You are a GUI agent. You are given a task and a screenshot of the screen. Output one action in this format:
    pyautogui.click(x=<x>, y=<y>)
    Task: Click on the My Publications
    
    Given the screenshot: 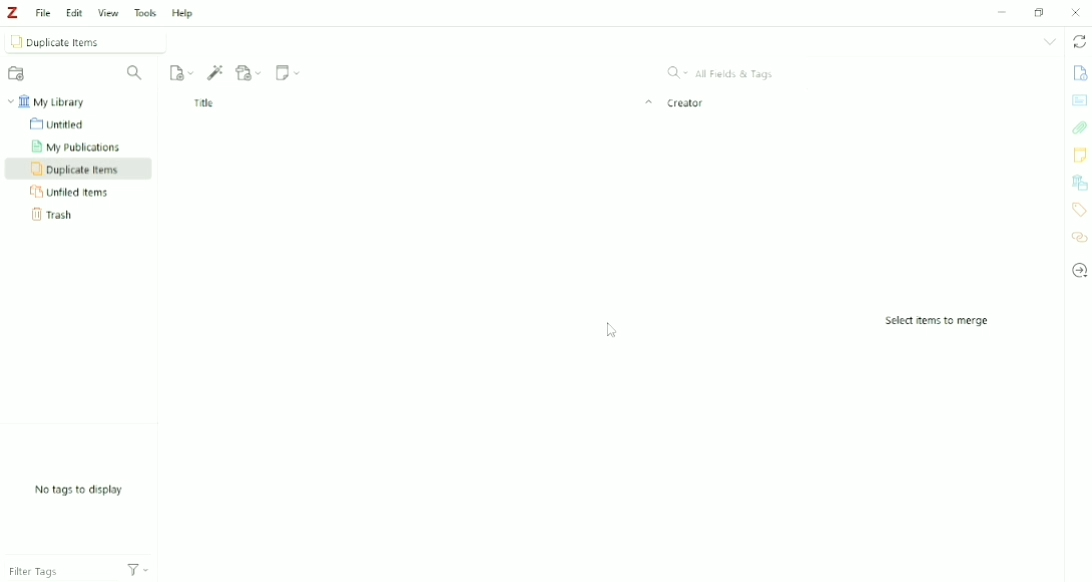 What is the action you would take?
    pyautogui.click(x=81, y=146)
    